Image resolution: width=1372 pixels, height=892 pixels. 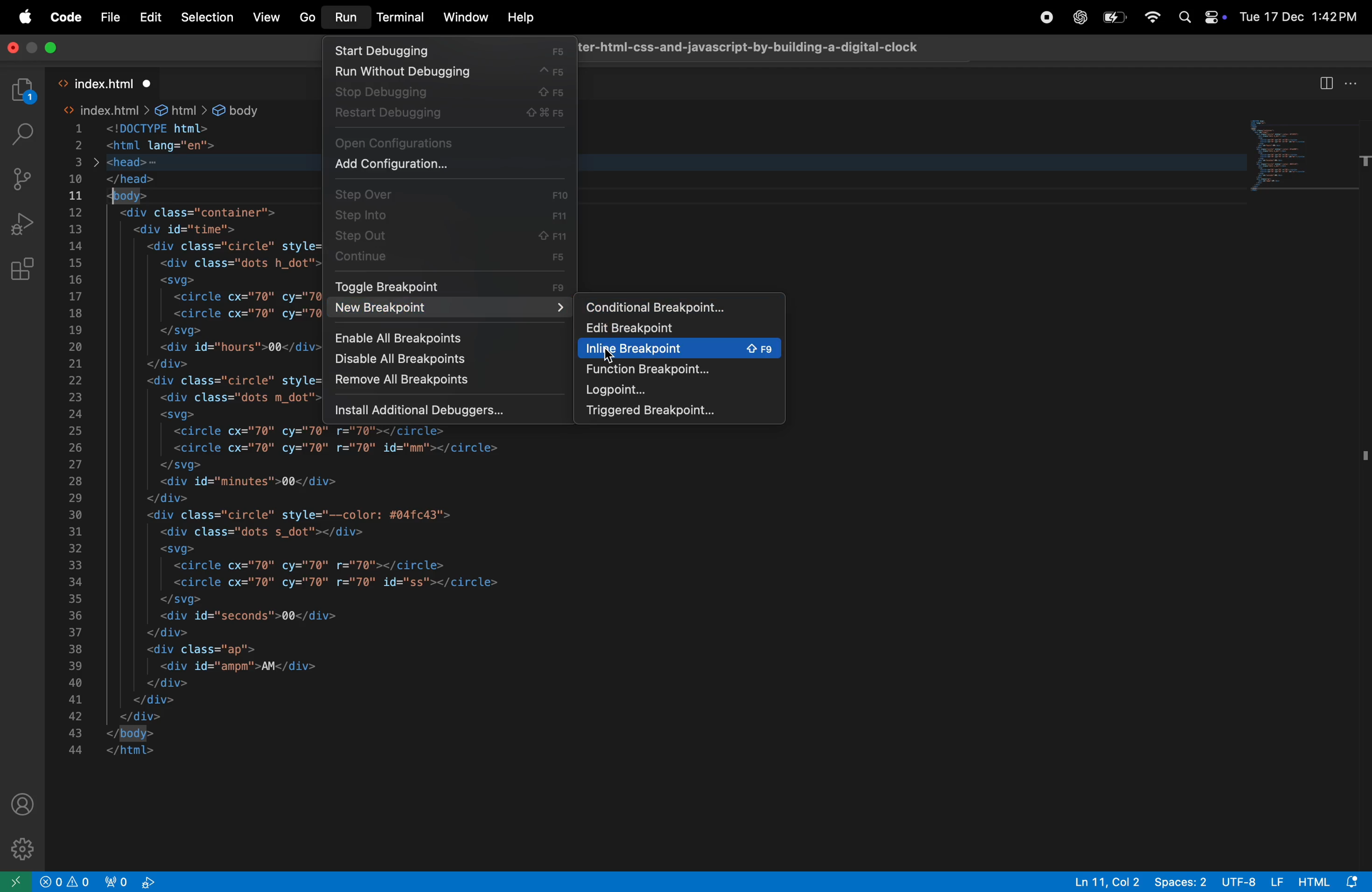 What do you see at coordinates (680, 369) in the screenshot?
I see `functional breakpoint` at bounding box center [680, 369].